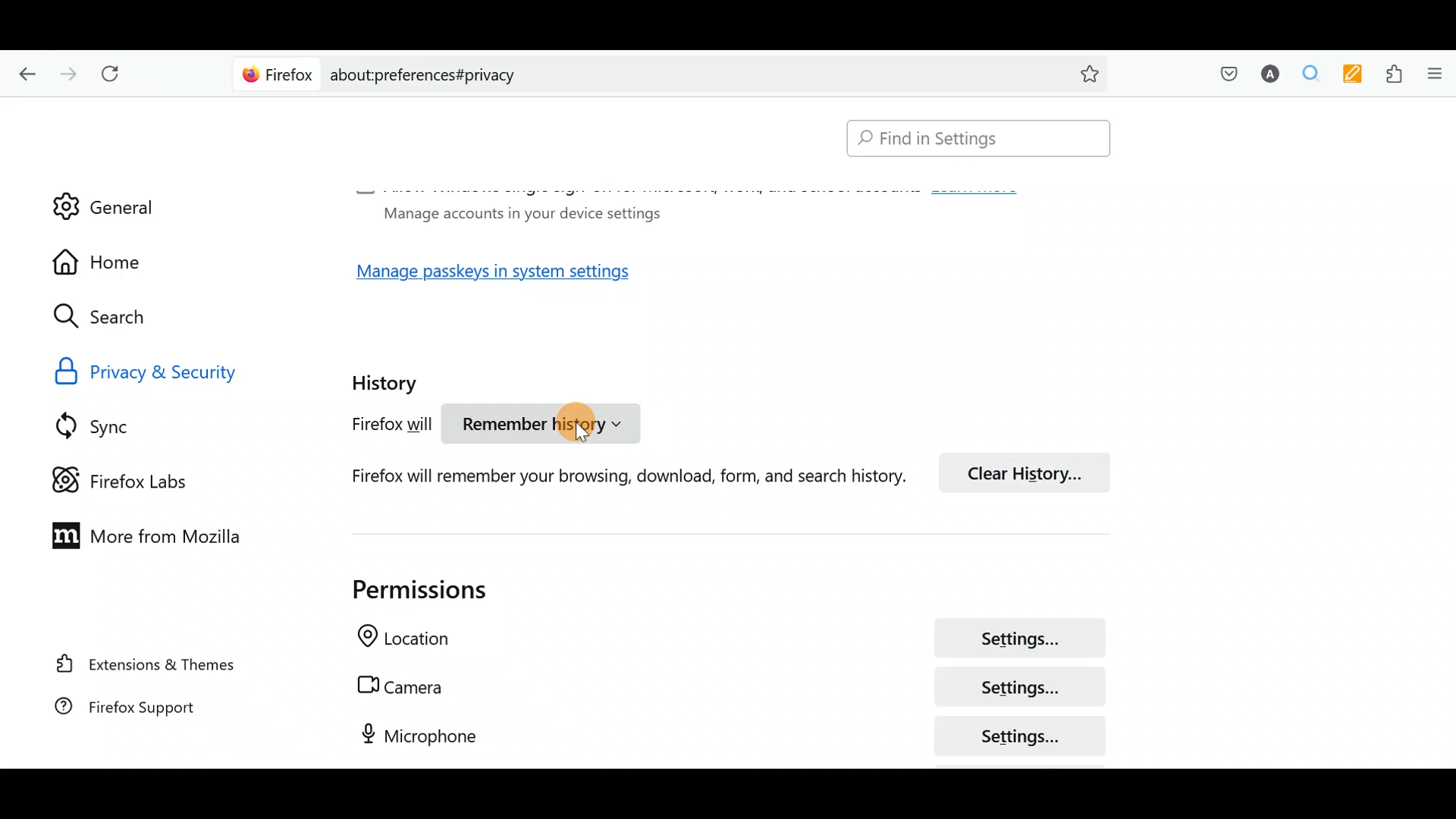  I want to click on Search bar, so click(971, 140).